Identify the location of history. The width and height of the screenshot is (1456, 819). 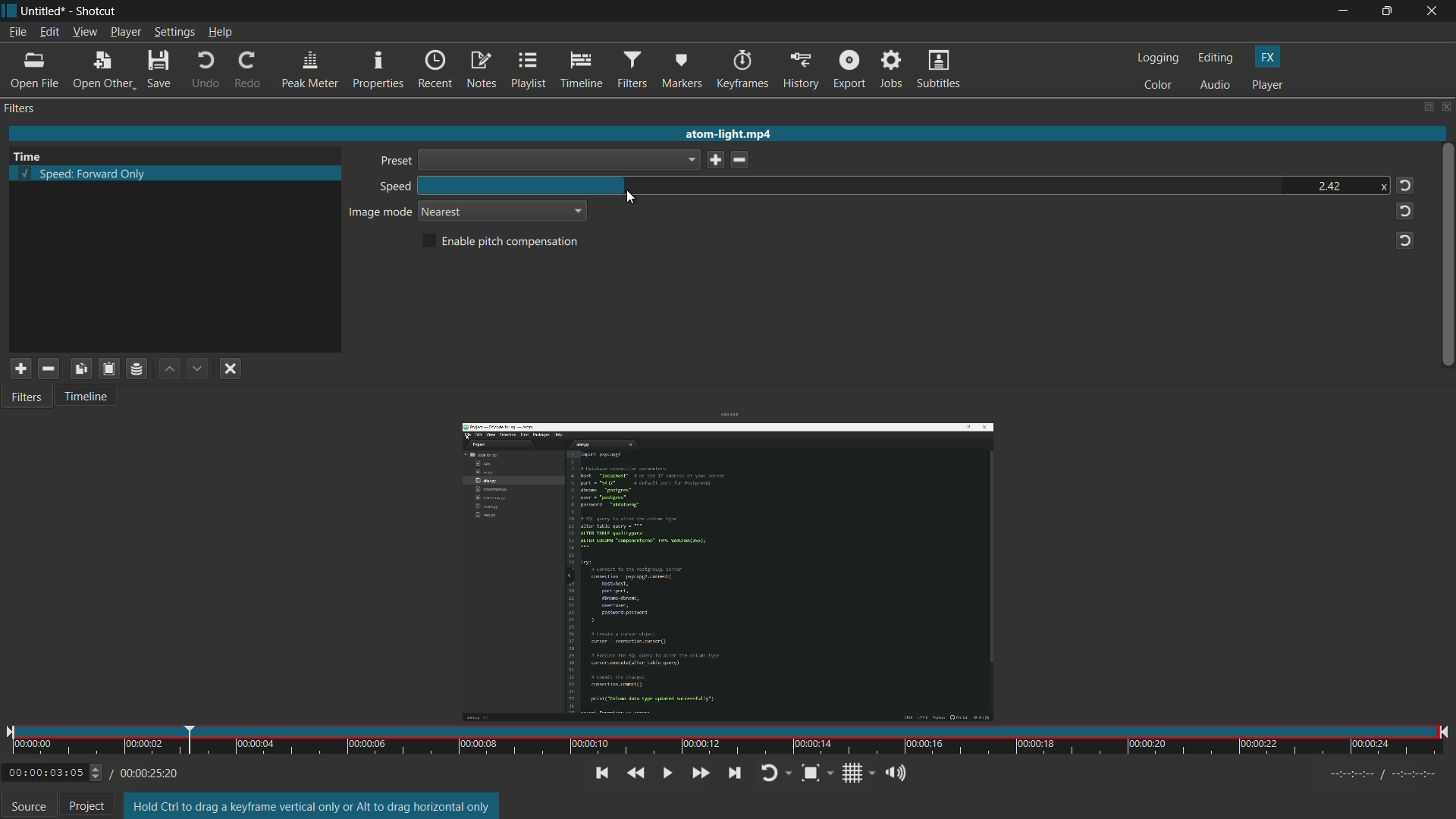
(800, 71).